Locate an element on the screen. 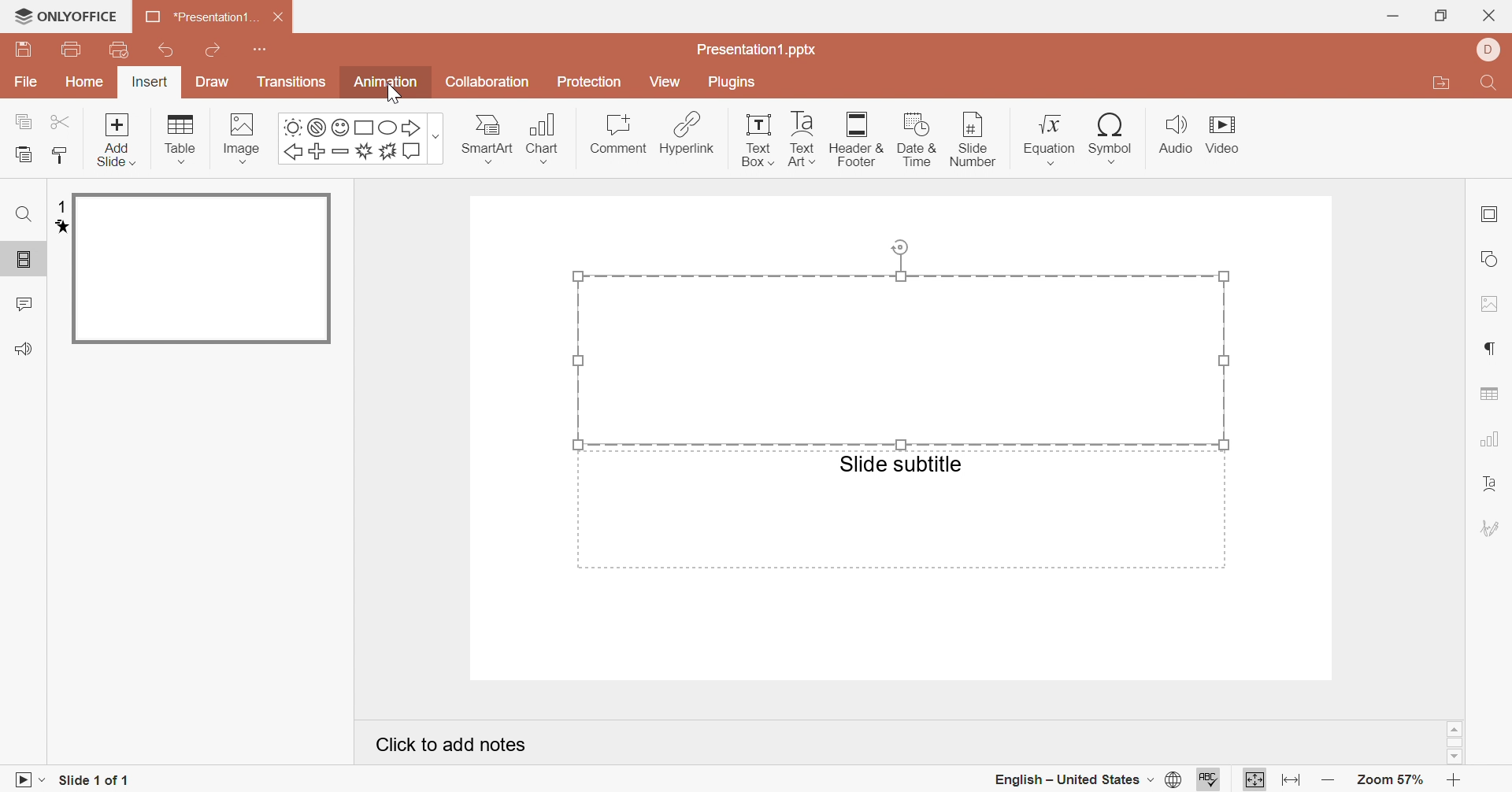 The width and height of the screenshot is (1512, 792). *presentation1... is located at coordinates (199, 17).